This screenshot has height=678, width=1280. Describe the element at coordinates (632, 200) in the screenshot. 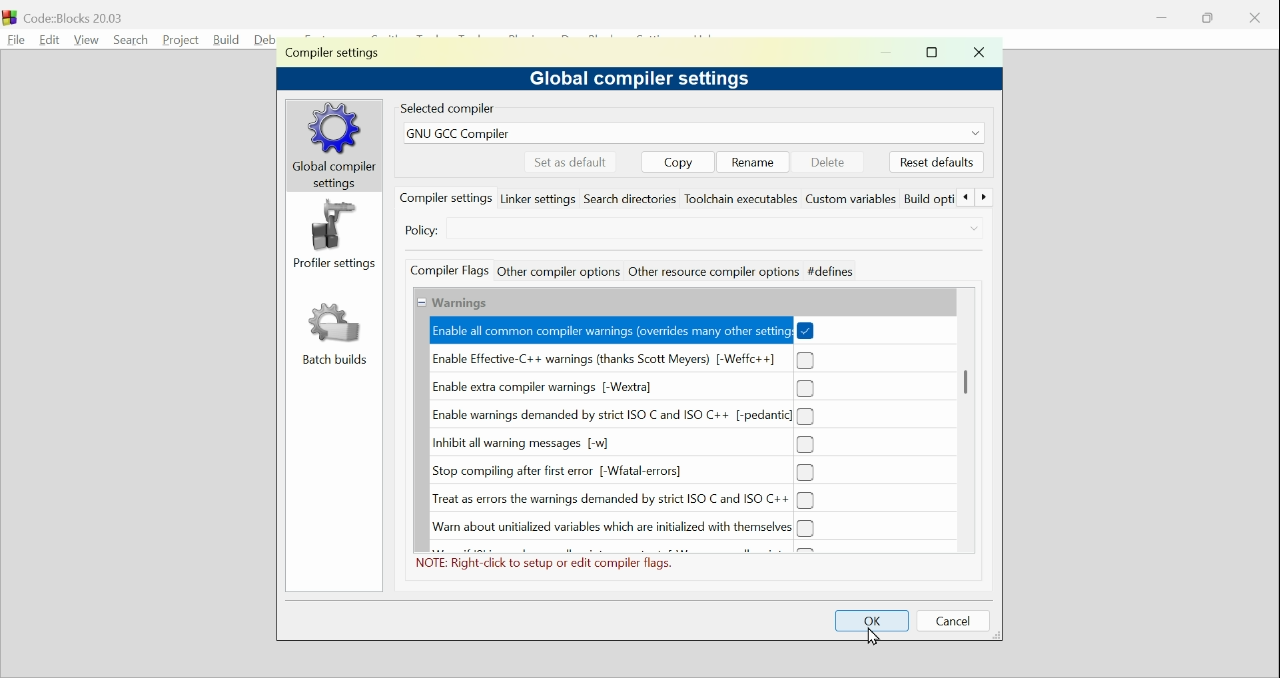

I see `Search directories` at that location.